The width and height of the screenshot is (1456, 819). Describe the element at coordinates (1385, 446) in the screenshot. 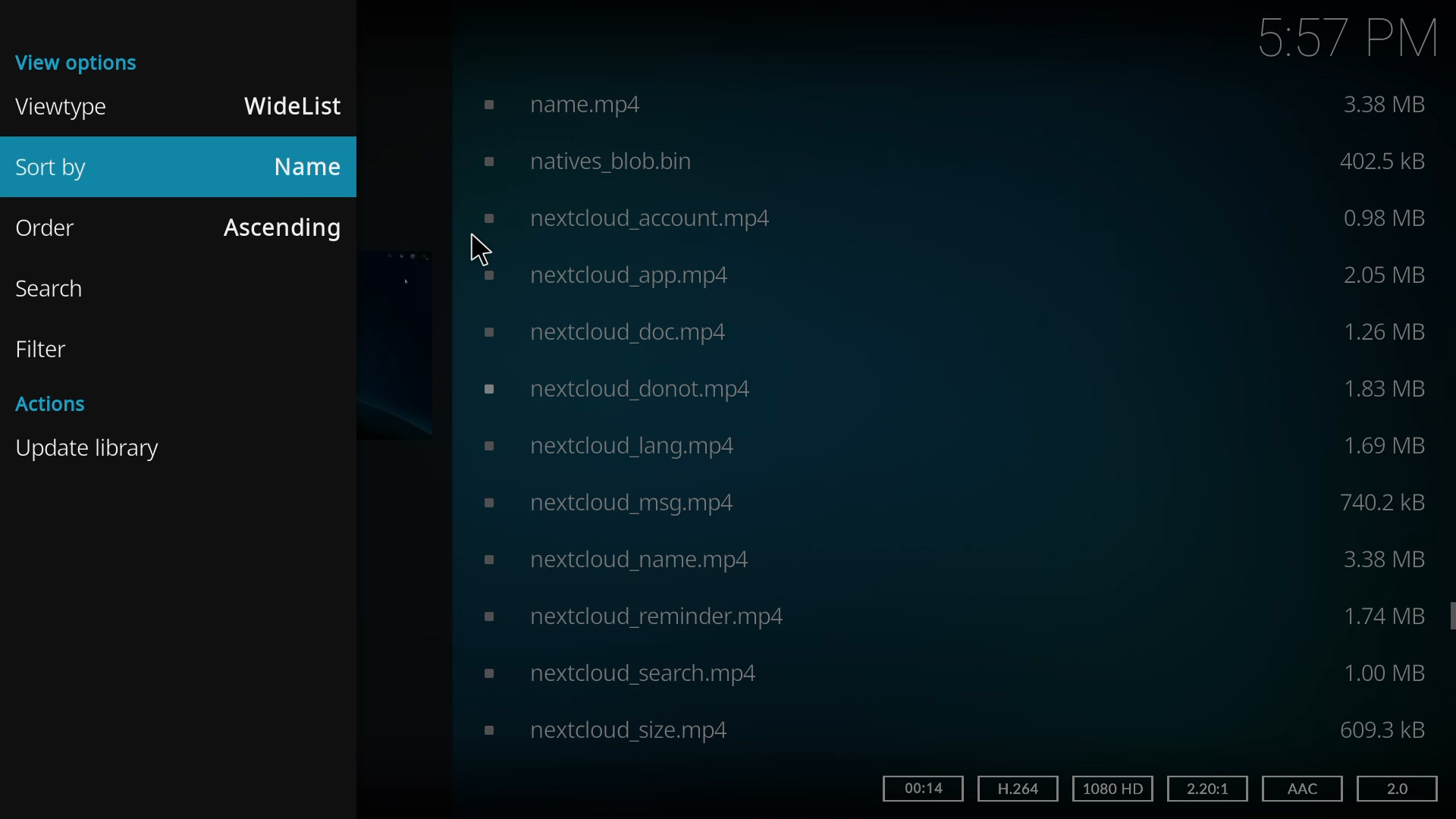

I see `size` at that location.